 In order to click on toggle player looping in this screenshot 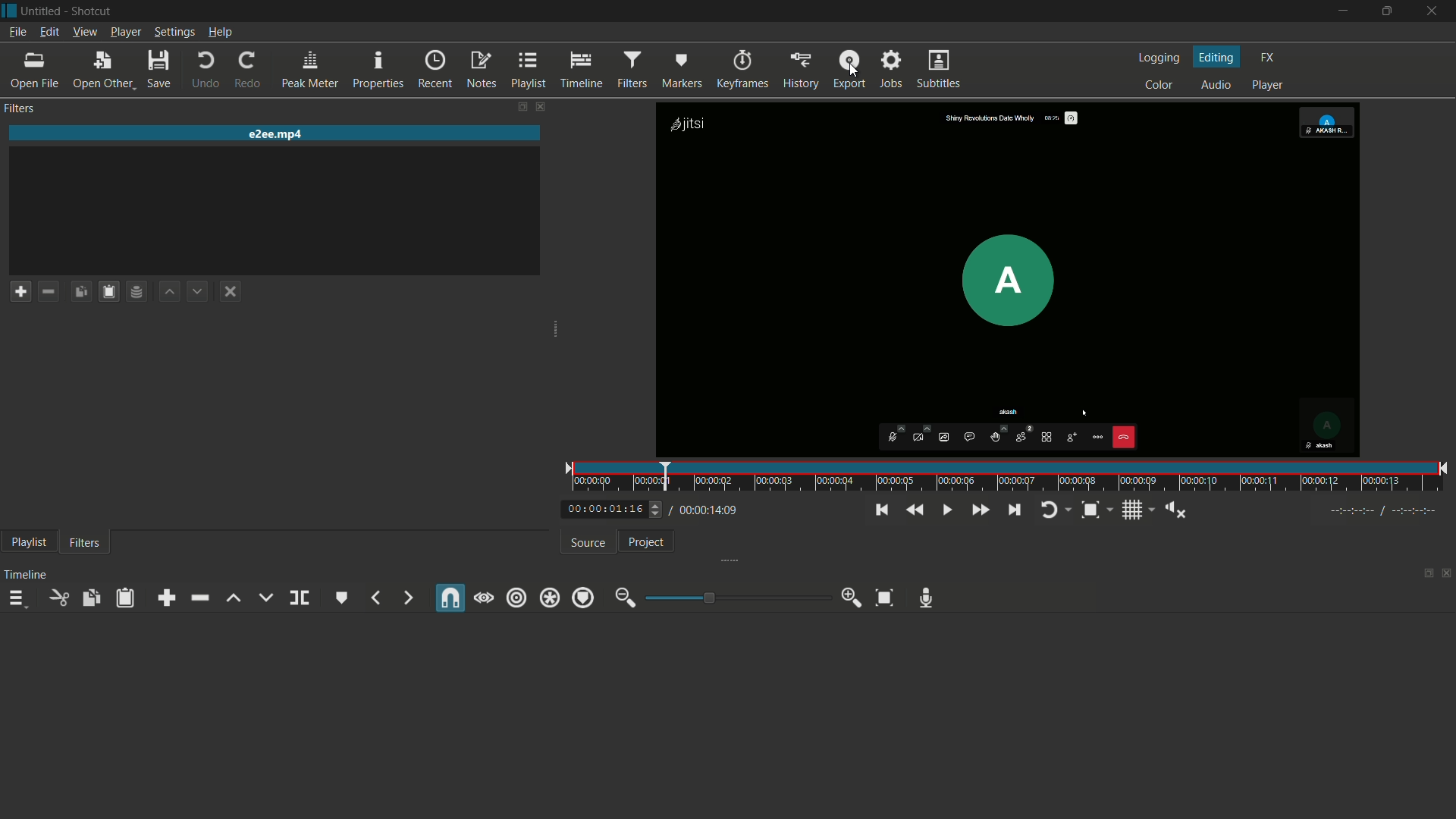, I will do `click(1050, 510)`.